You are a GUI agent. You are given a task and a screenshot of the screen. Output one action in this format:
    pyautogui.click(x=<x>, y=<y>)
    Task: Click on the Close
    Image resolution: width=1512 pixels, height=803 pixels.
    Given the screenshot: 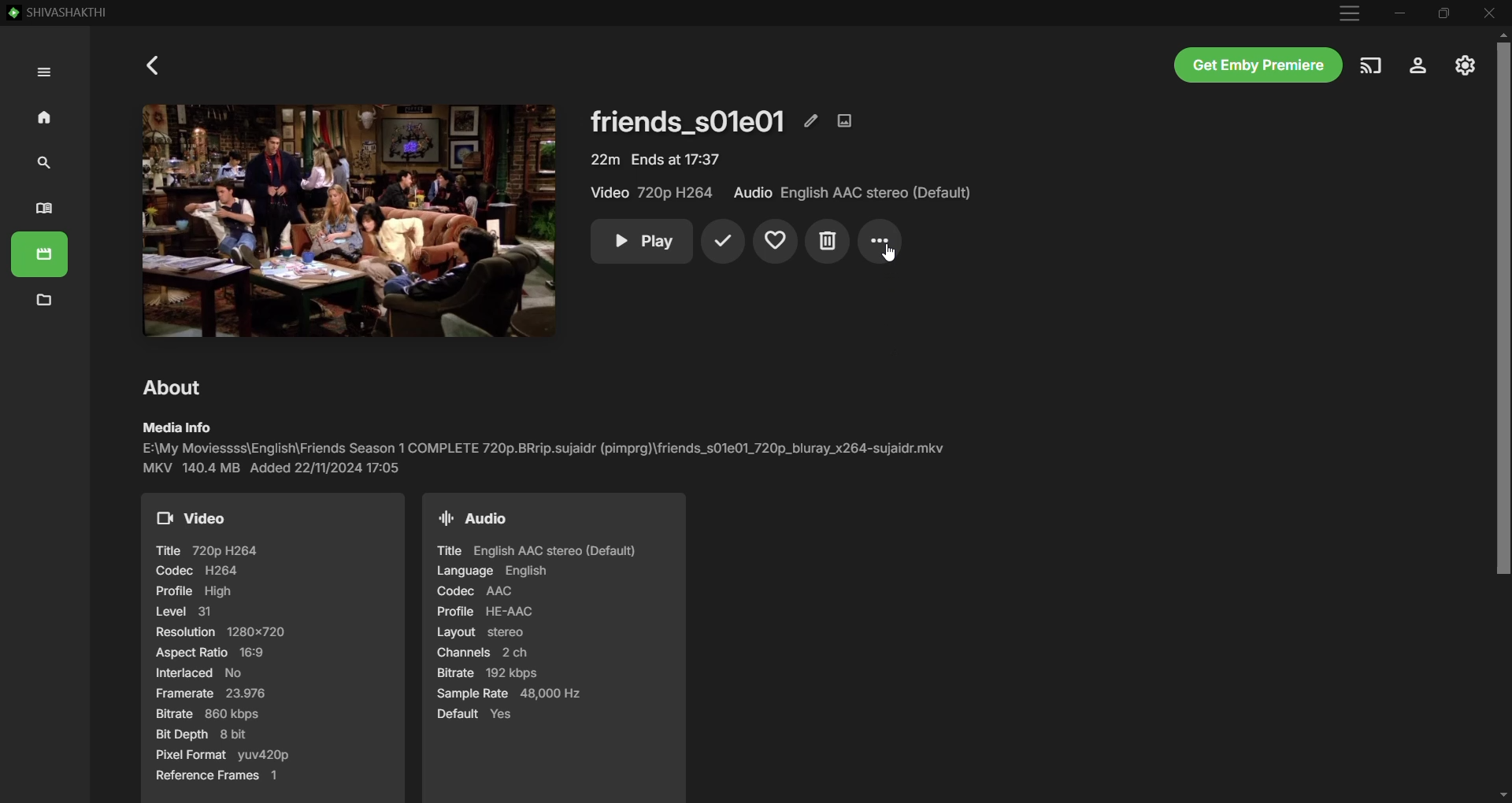 What is the action you would take?
    pyautogui.click(x=1490, y=13)
    